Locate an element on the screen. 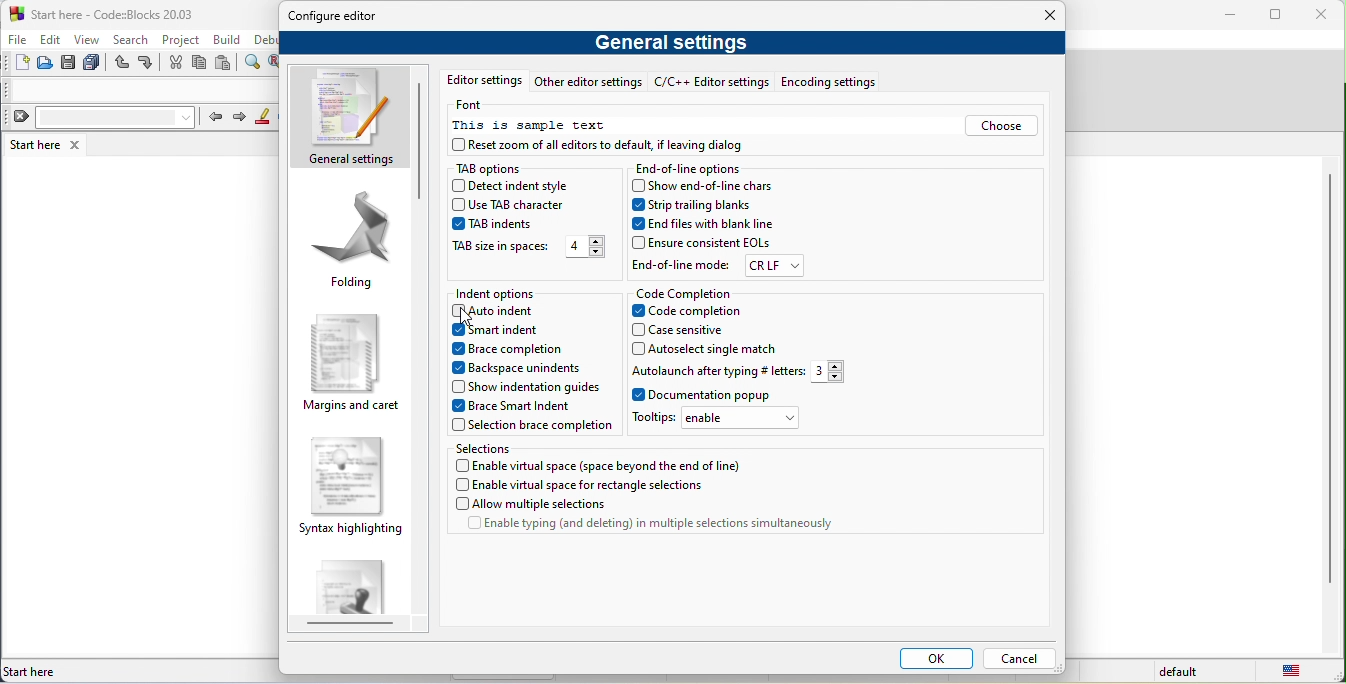  close is located at coordinates (1325, 15).